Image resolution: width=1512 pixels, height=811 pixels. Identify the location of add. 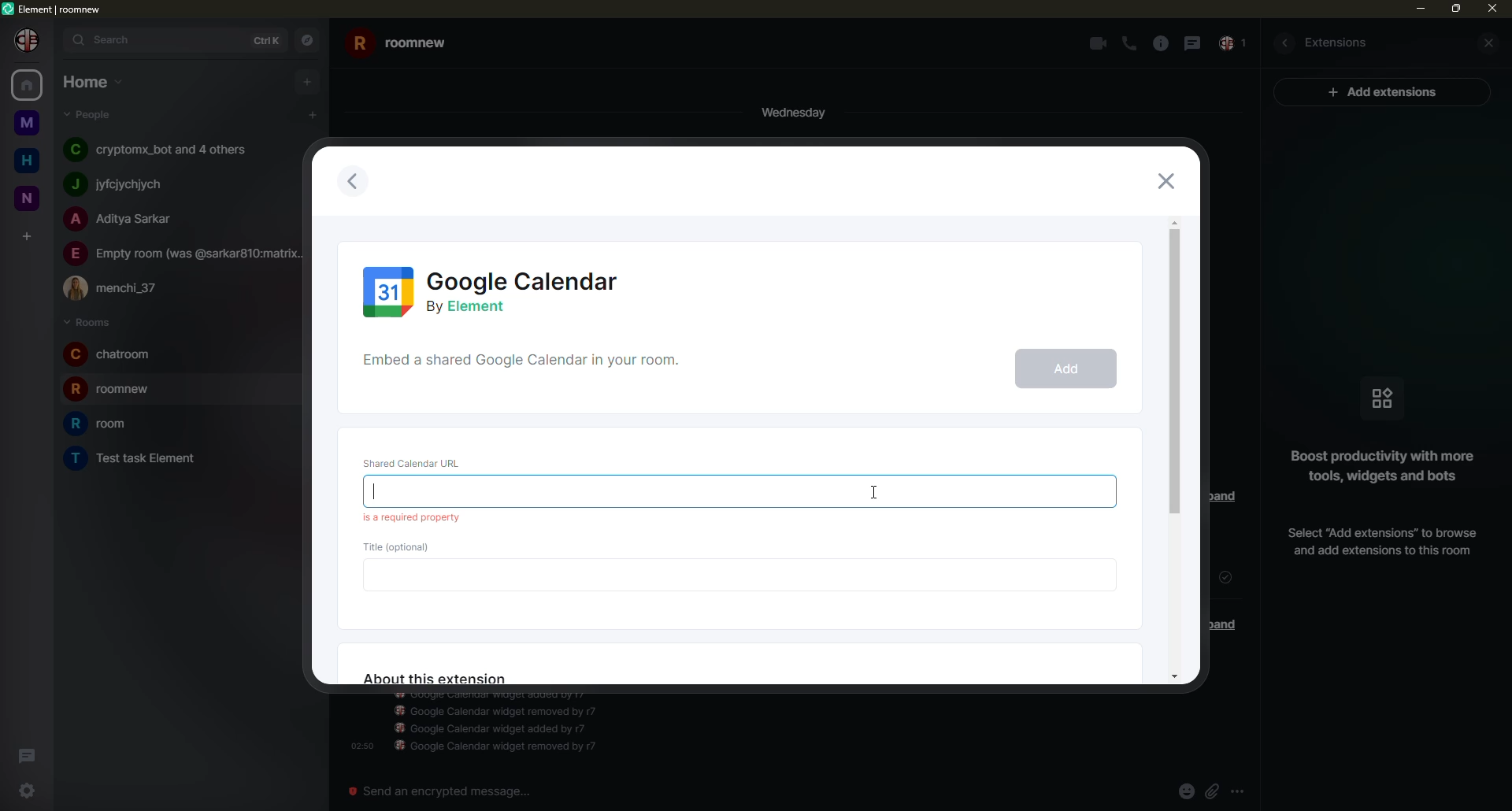
(308, 81).